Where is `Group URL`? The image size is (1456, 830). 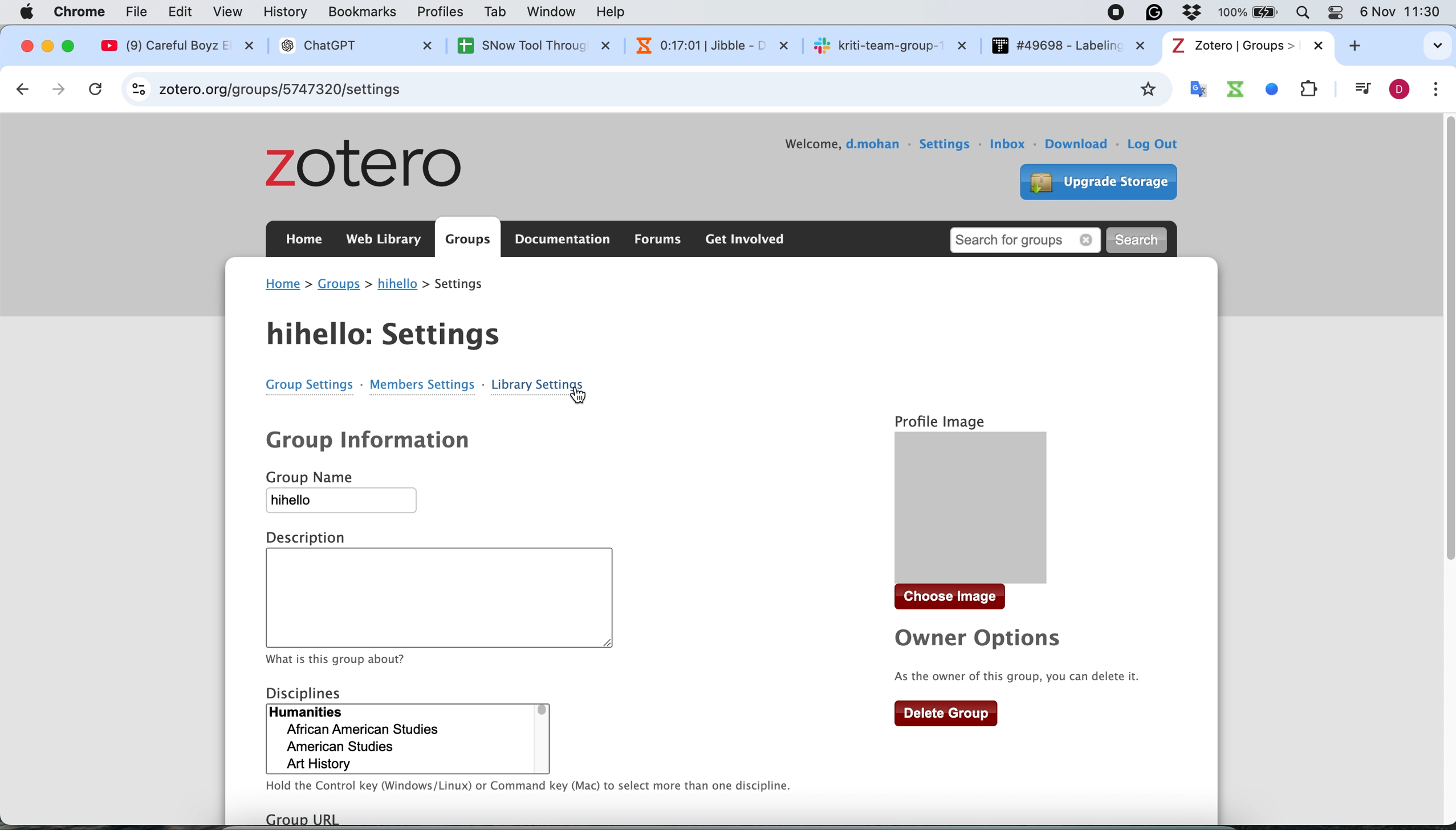
Group URL is located at coordinates (323, 818).